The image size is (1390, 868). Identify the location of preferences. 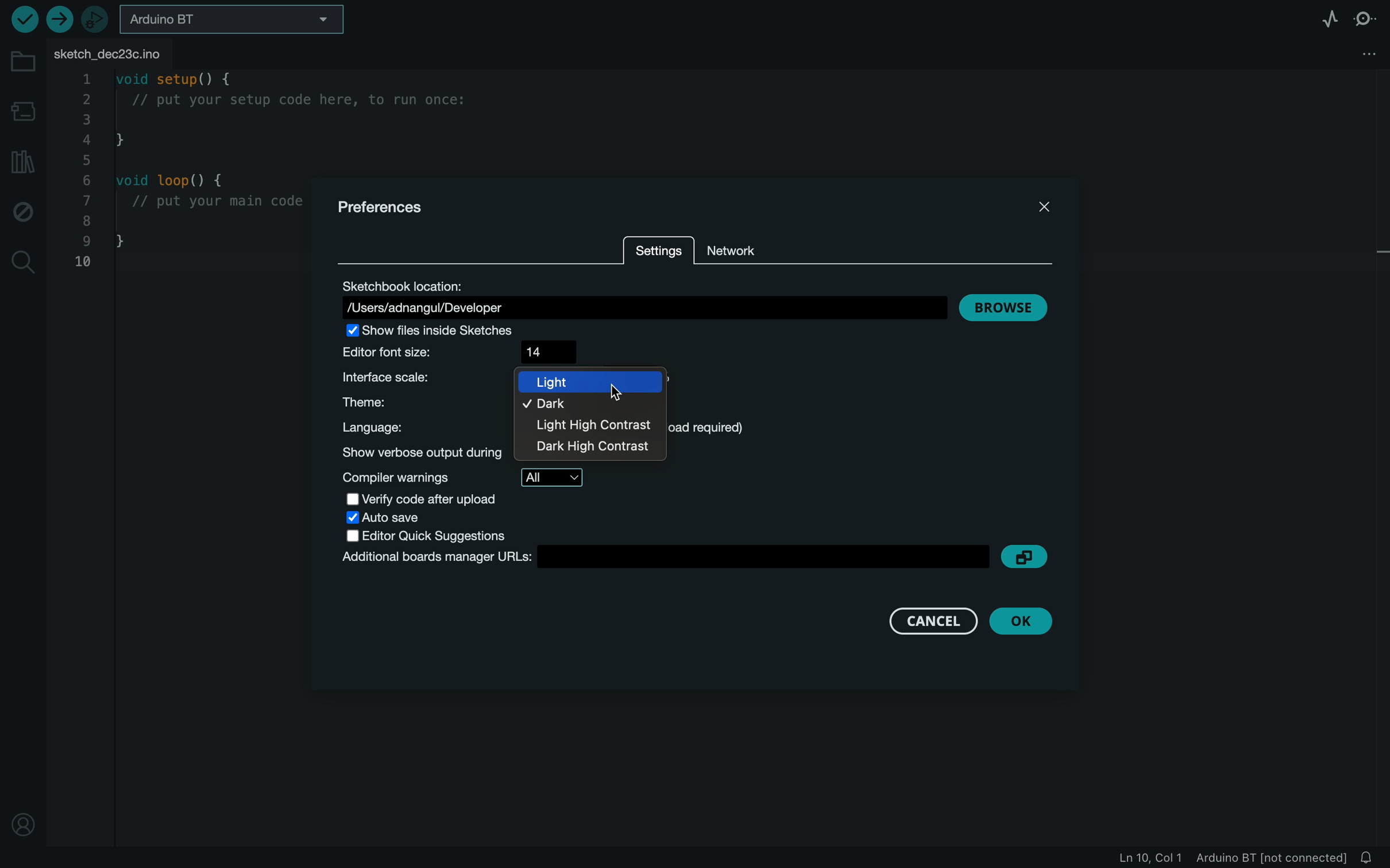
(384, 208).